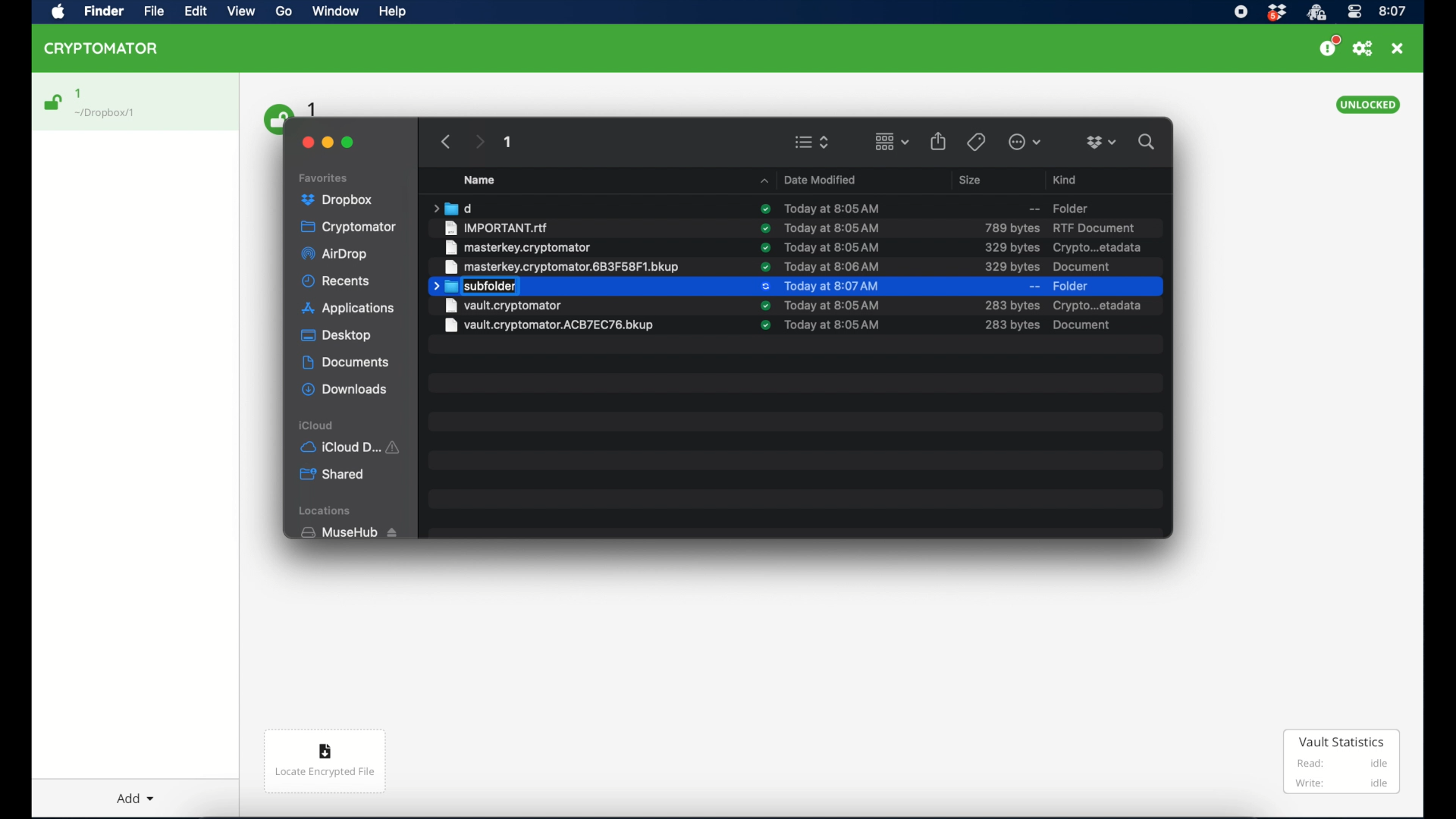 The width and height of the screenshot is (1456, 819). What do you see at coordinates (972, 180) in the screenshot?
I see `size` at bounding box center [972, 180].